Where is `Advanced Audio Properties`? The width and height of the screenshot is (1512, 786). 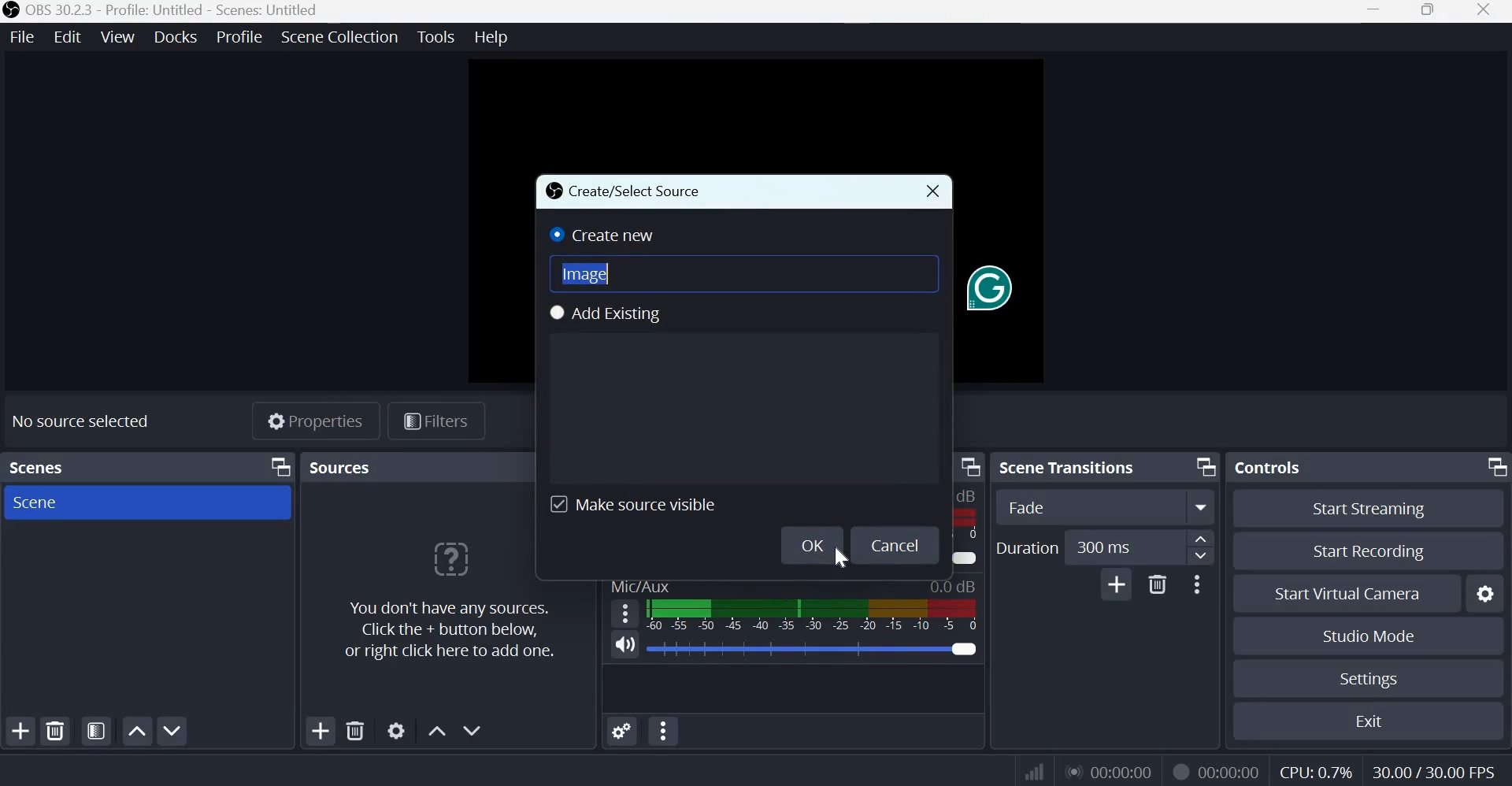 Advanced Audio Properties is located at coordinates (620, 730).